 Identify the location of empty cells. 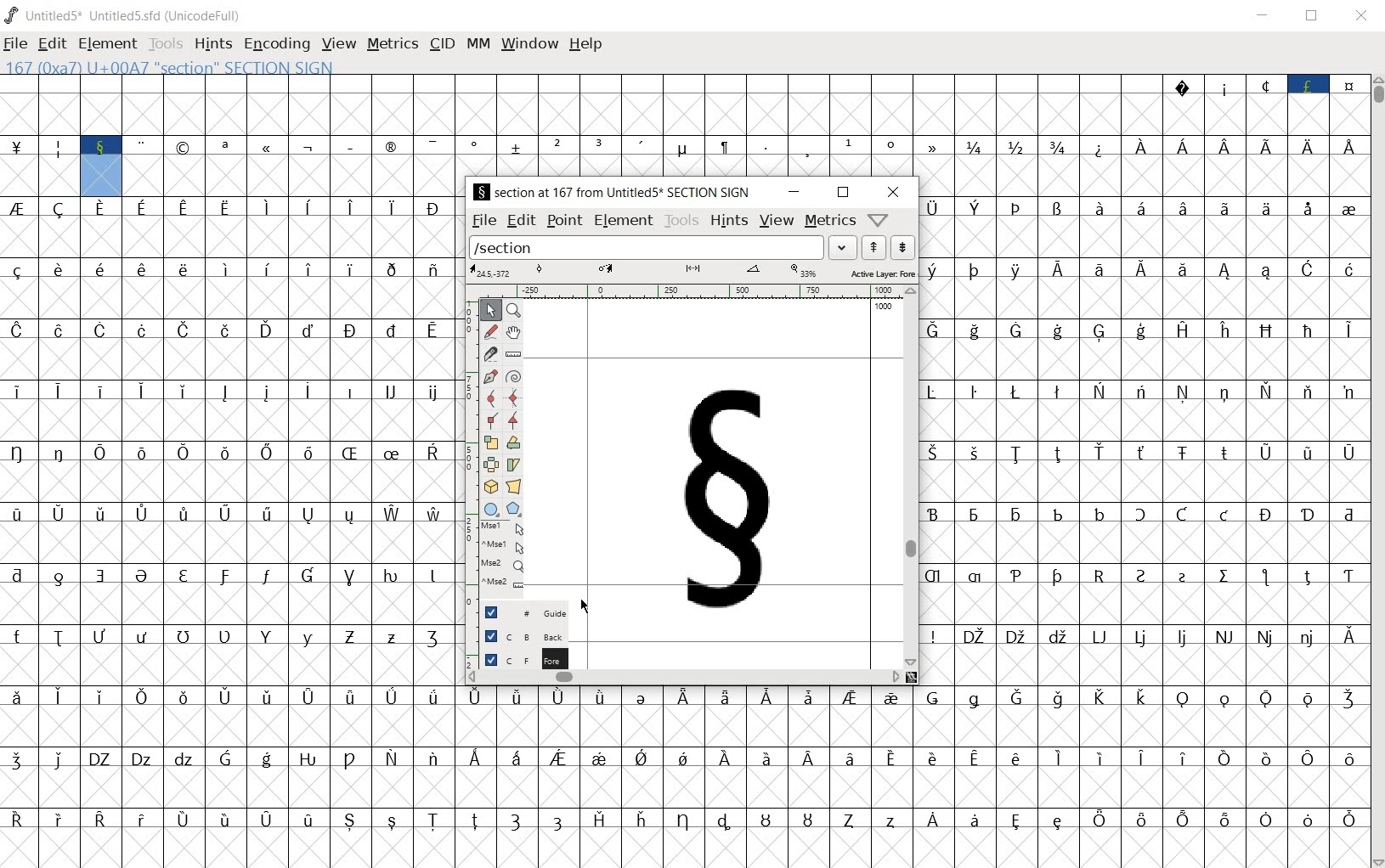
(231, 421).